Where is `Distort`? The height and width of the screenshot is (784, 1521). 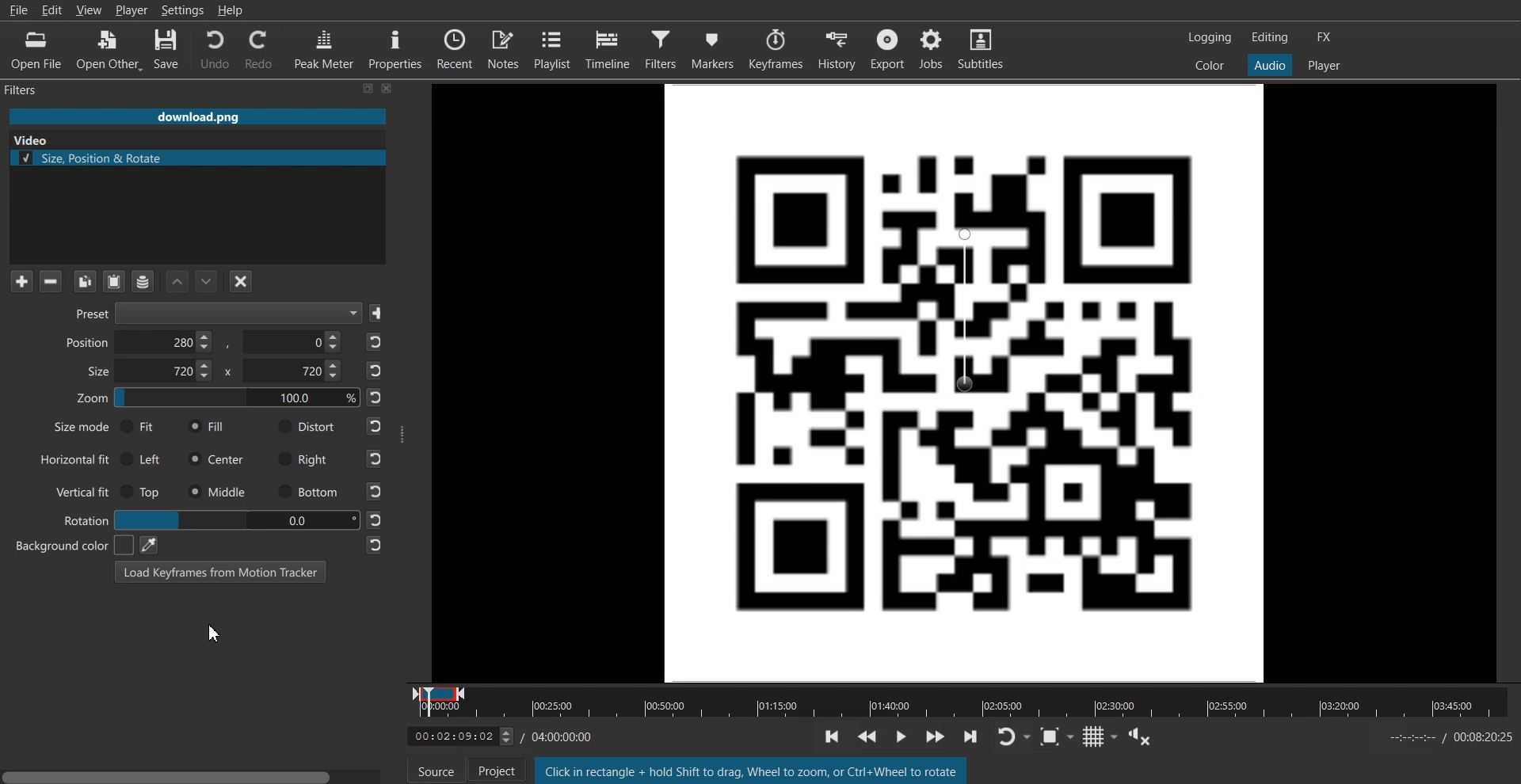
Distort is located at coordinates (305, 426).